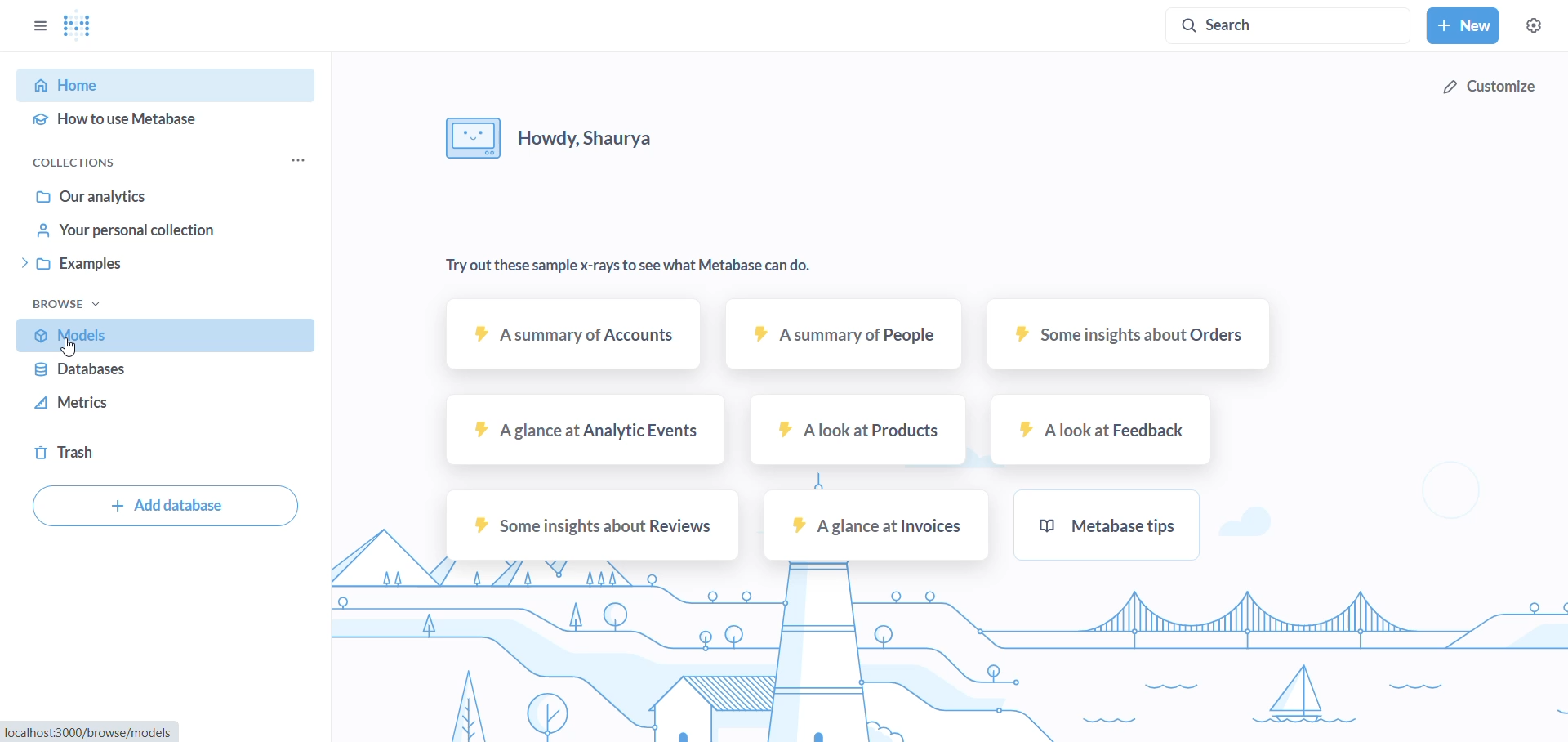 The height and width of the screenshot is (742, 1568). What do you see at coordinates (586, 435) in the screenshot?
I see `A glance at analytic event ` at bounding box center [586, 435].